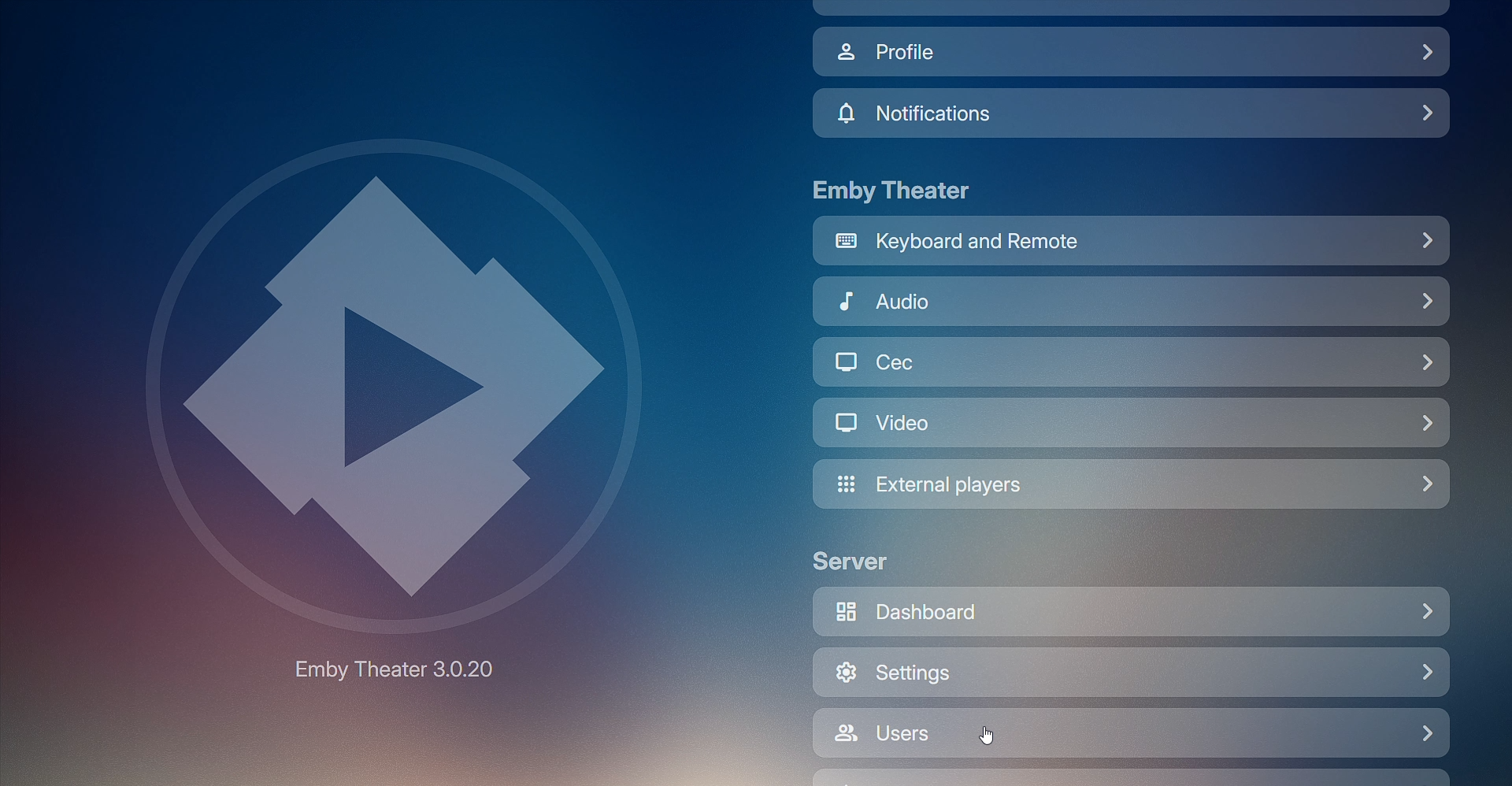 Image resolution: width=1512 pixels, height=786 pixels. What do you see at coordinates (897, 191) in the screenshot?
I see `Emby Theater` at bounding box center [897, 191].